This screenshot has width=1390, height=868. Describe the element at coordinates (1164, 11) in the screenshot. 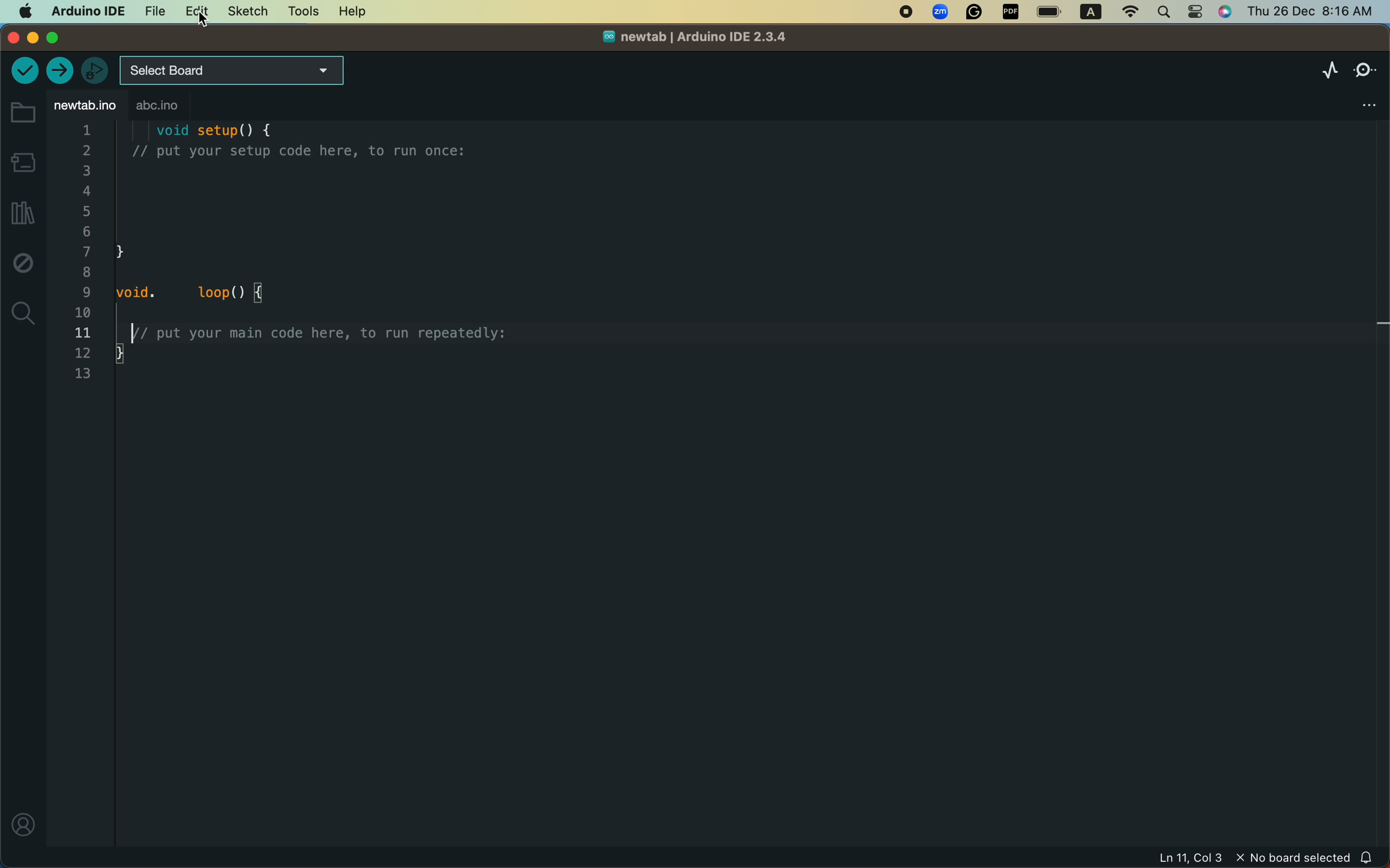

I see `search` at that location.